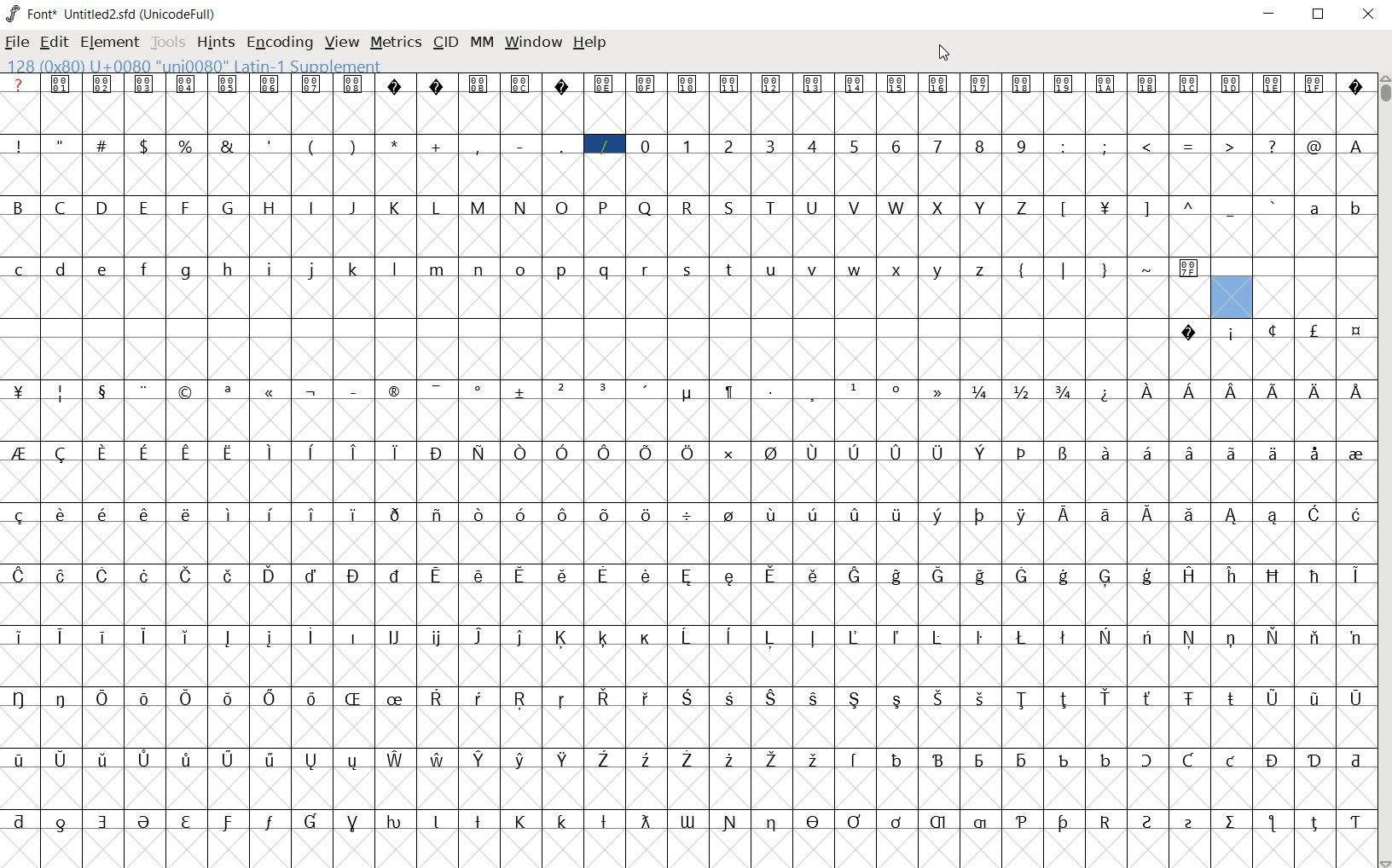  Describe the element at coordinates (478, 760) in the screenshot. I see `glyph` at that location.